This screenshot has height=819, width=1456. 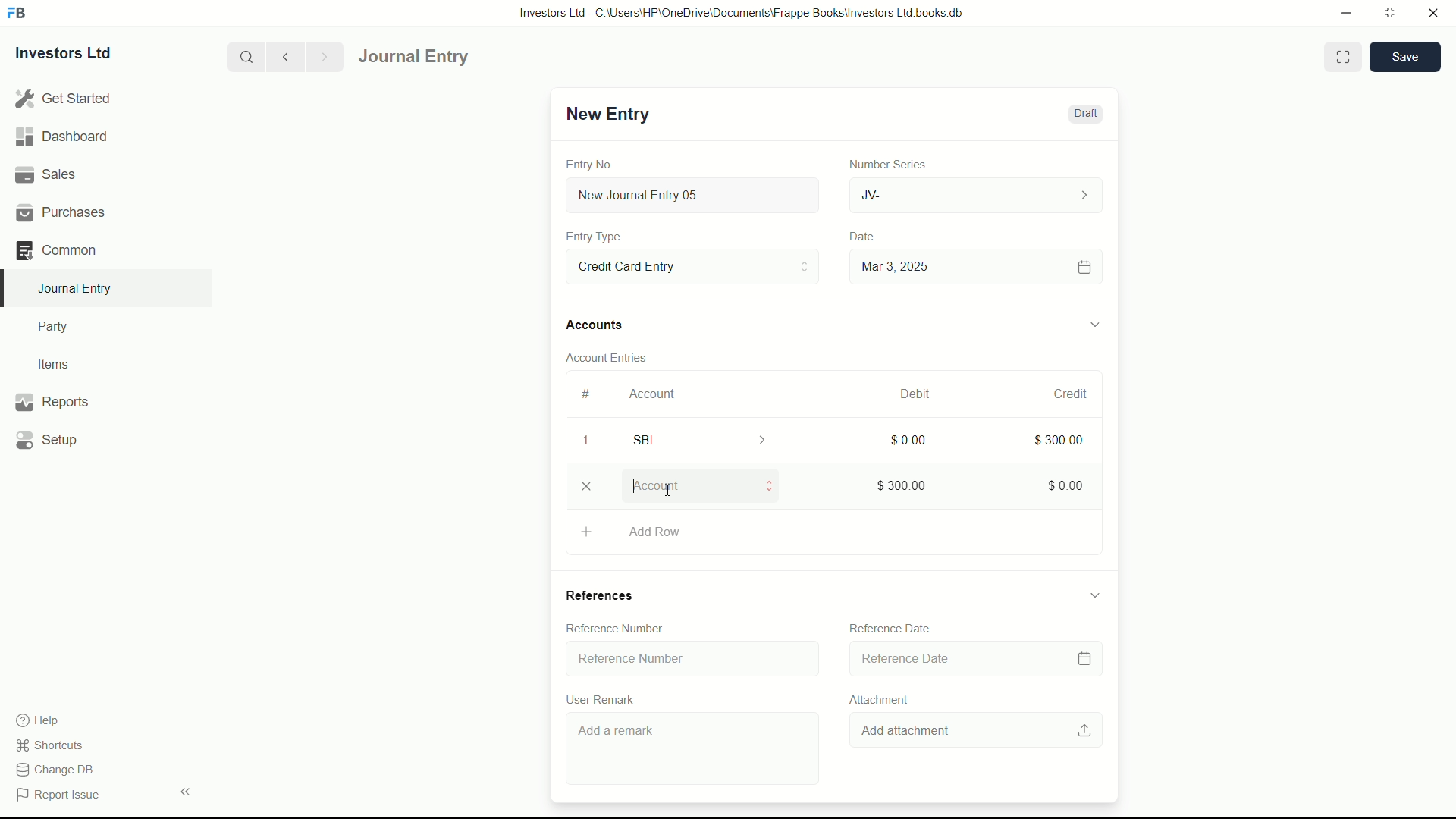 I want to click on Add attachment, so click(x=977, y=731).